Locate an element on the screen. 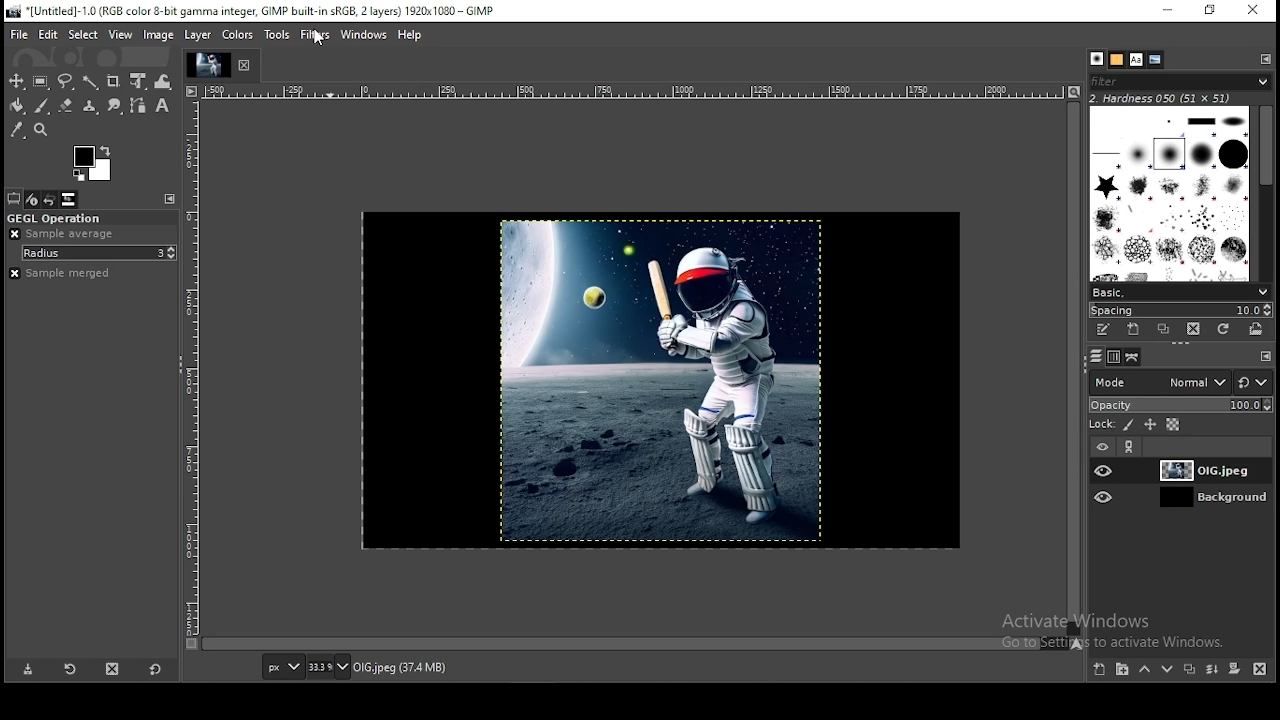 This screenshot has width=1280, height=720. OIG.jpeg(37.4mb) is located at coordinates (399, 671).